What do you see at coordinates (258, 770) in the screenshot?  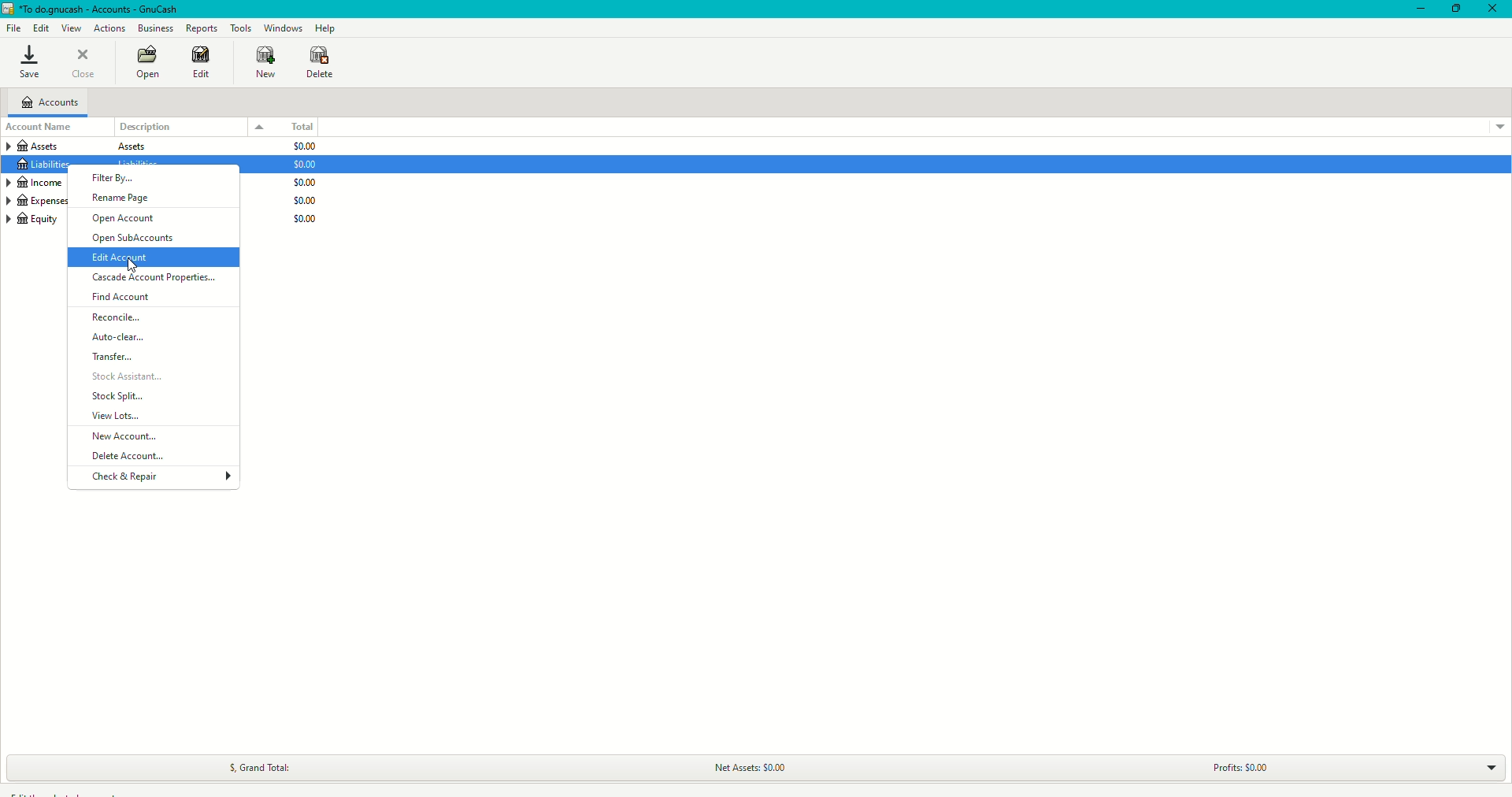 I see `Grand Total` at bounding box center [258, 770].